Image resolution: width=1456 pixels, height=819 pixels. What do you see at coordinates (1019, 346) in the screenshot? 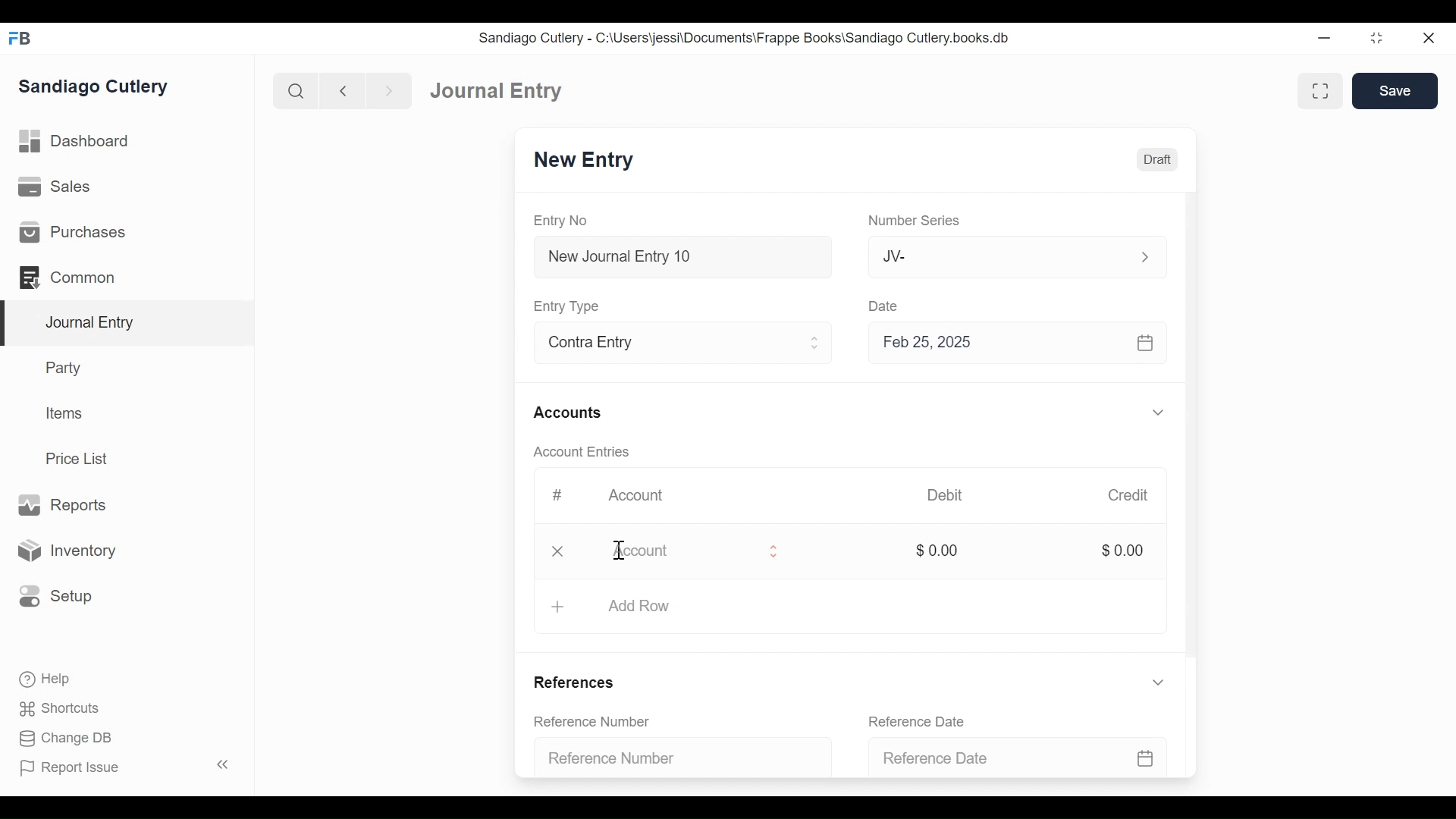
I see `Feb 25, 2025` at bounding box center [1019, 346].